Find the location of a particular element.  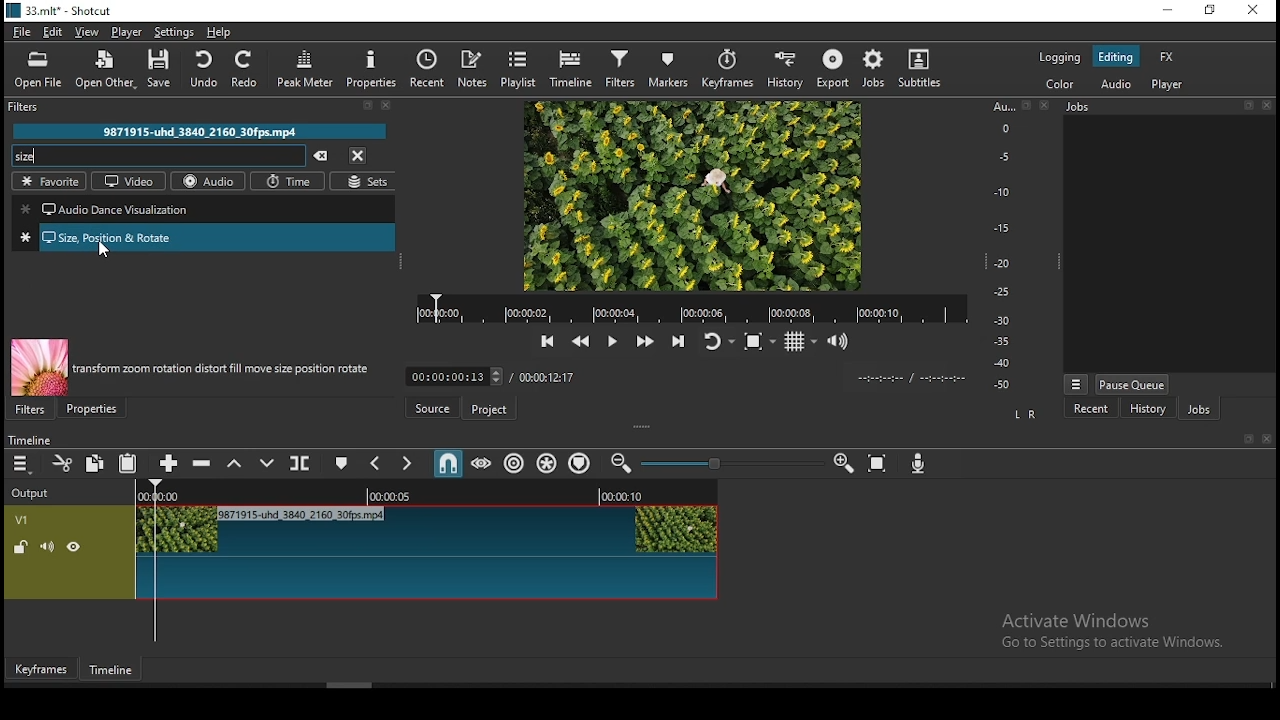

markers is located at coordinates (671, 67).